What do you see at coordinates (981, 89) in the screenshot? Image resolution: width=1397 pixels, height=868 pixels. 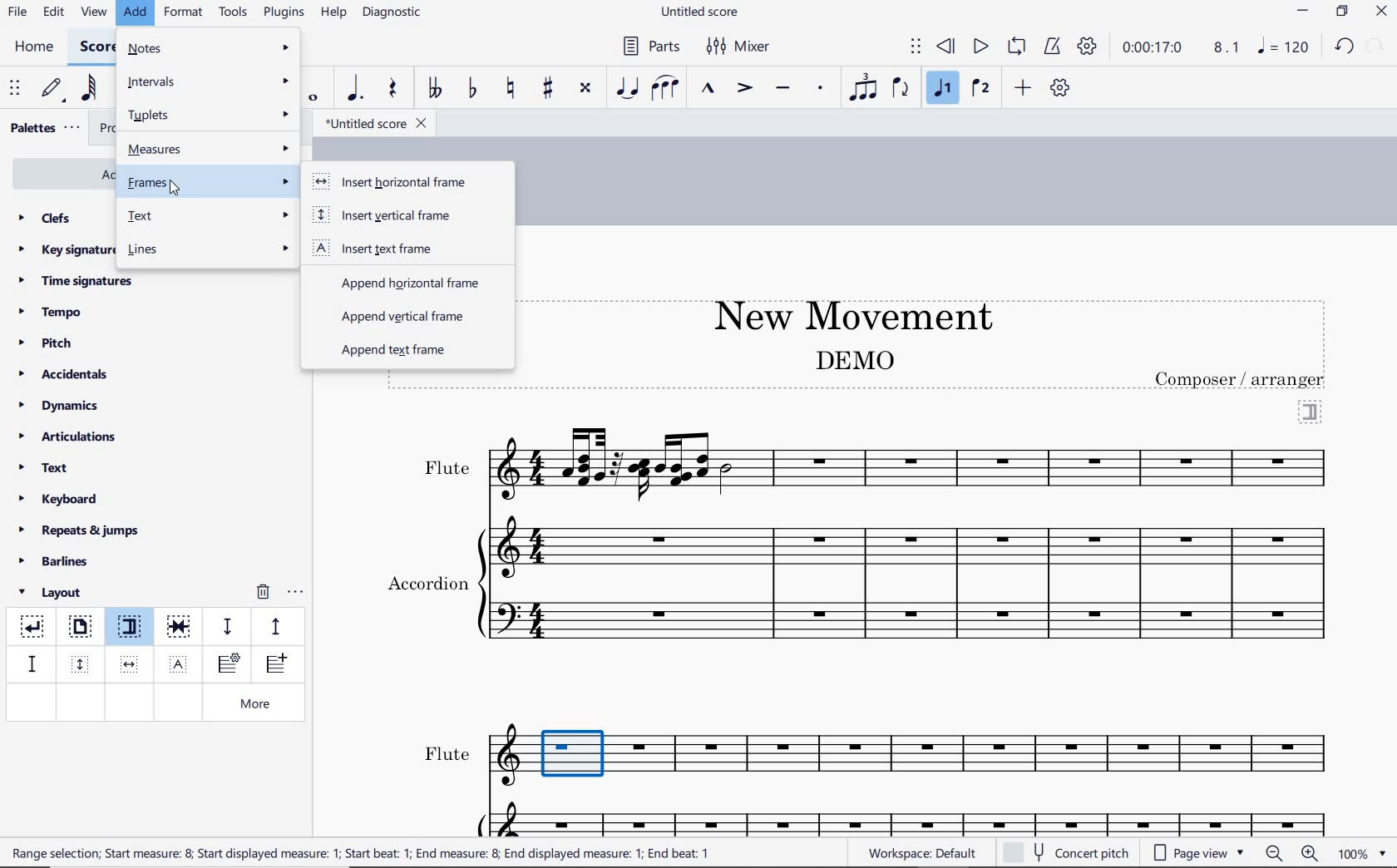 I see `voice 2` at bounding box center [981, 89].